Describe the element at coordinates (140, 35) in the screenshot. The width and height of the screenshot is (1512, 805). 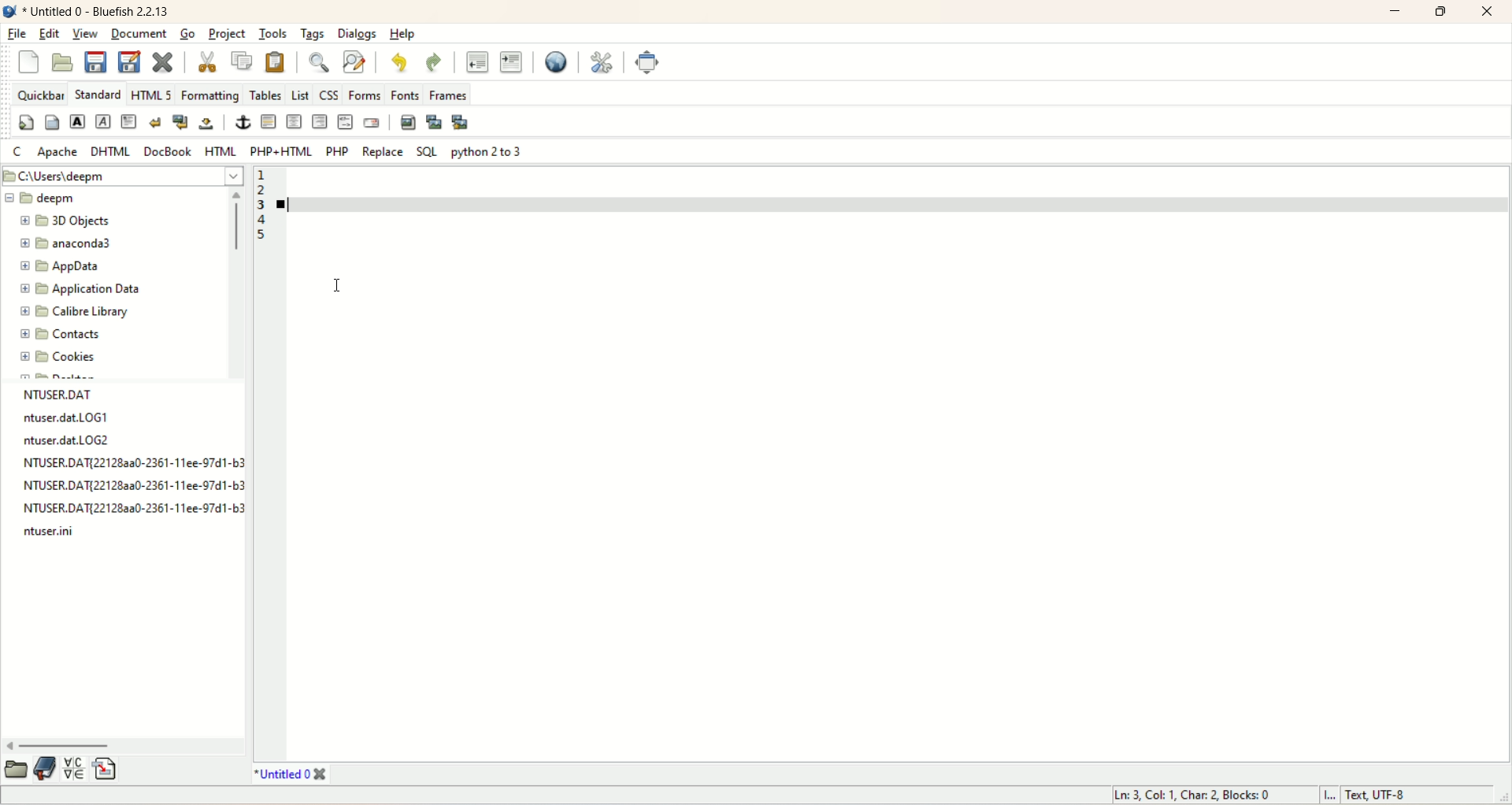
I see `document` at that location.